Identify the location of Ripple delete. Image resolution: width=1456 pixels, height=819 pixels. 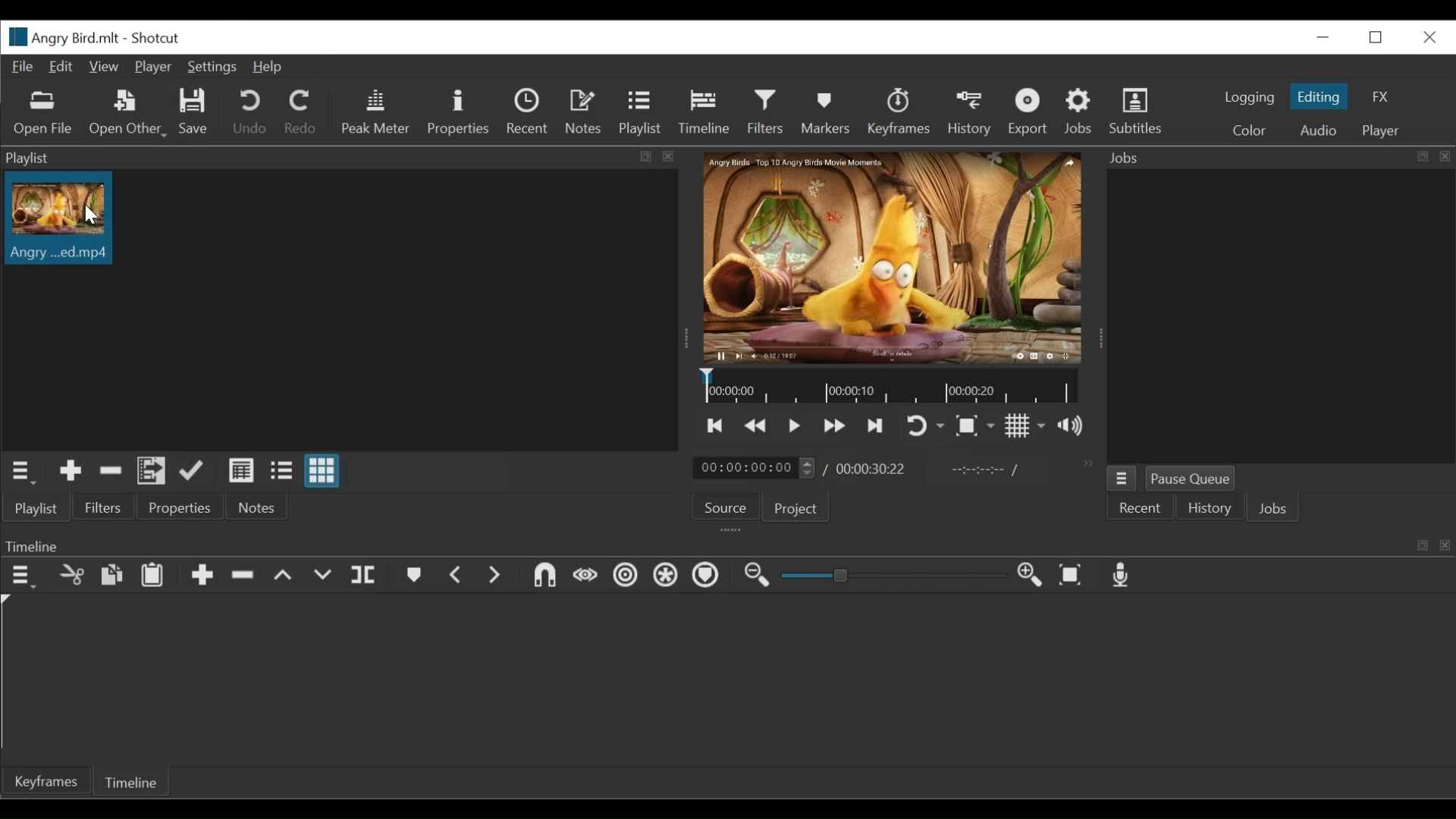
(243, 576).